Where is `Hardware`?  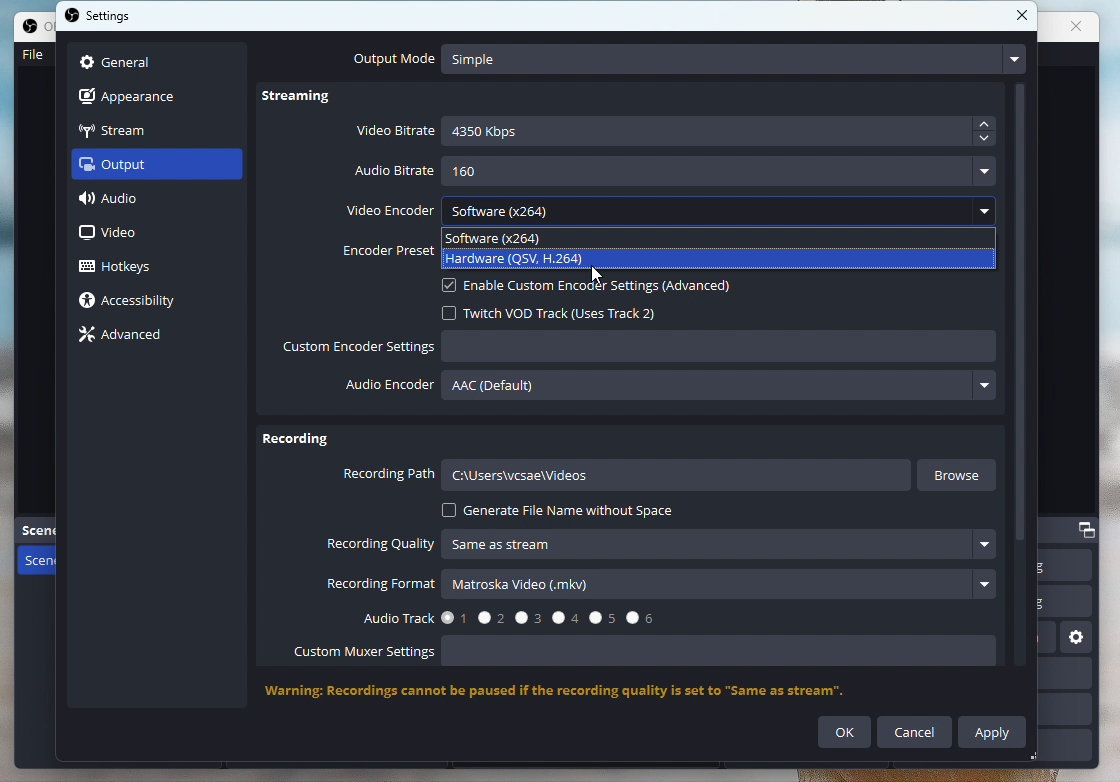 Hardware is located at coordinates (517, 257).